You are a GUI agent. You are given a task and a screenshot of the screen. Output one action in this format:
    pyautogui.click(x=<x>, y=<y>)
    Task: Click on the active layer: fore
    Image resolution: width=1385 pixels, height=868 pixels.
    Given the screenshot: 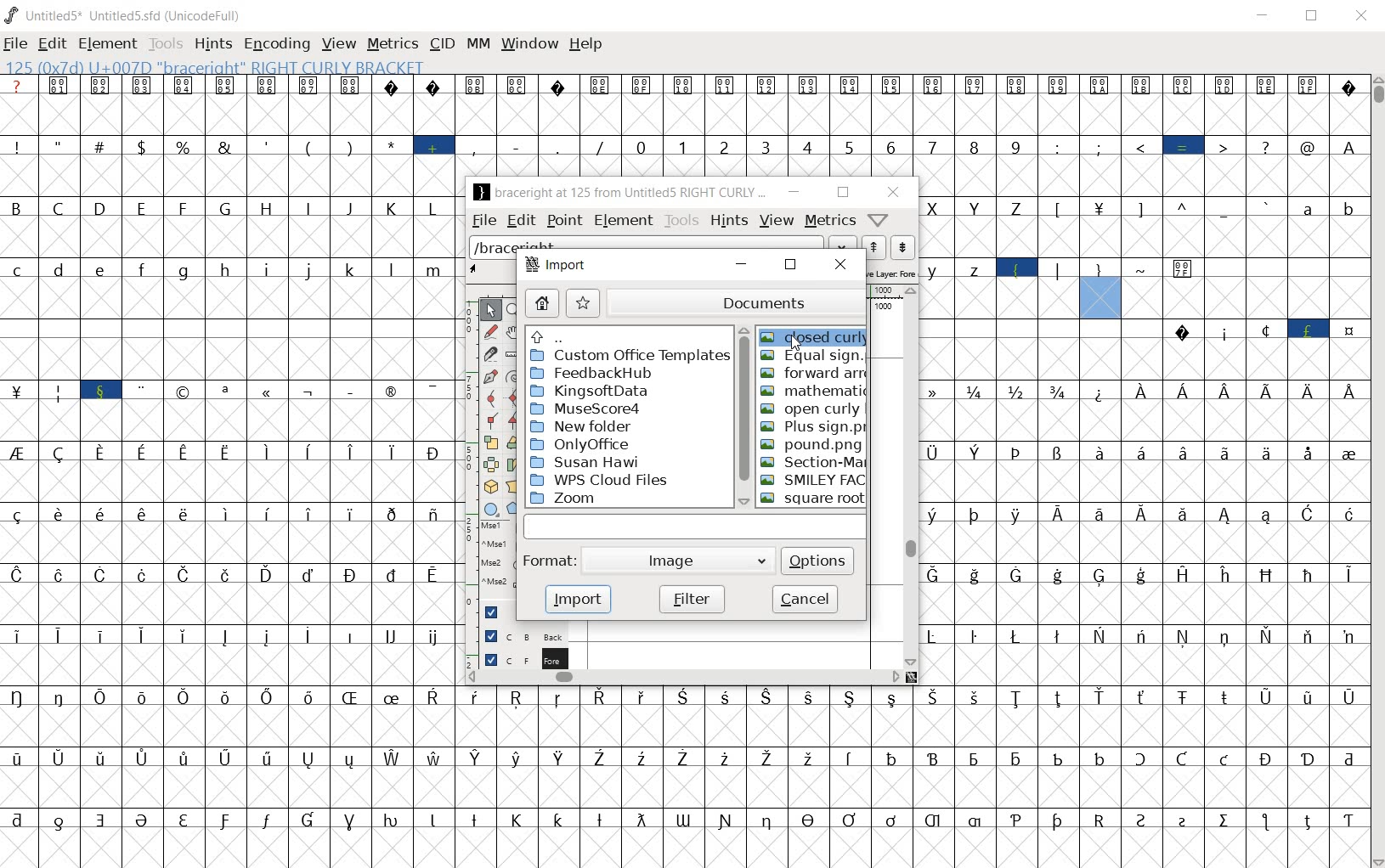 What is the action you would take?
    pyautogui.click(x=893, y=273)
    